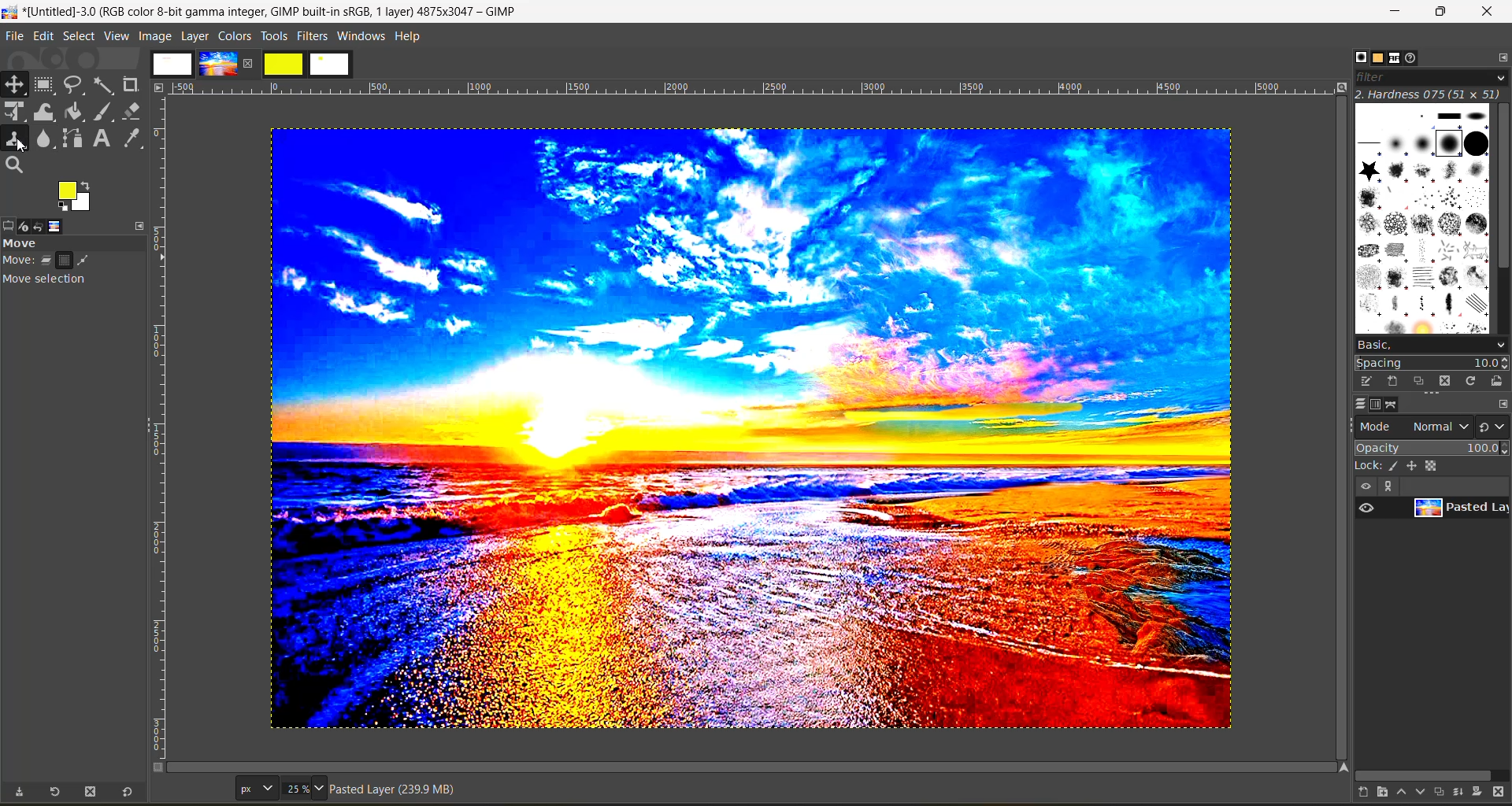 The image size is (1512, 806). I want to click on image, so click(746, 434).